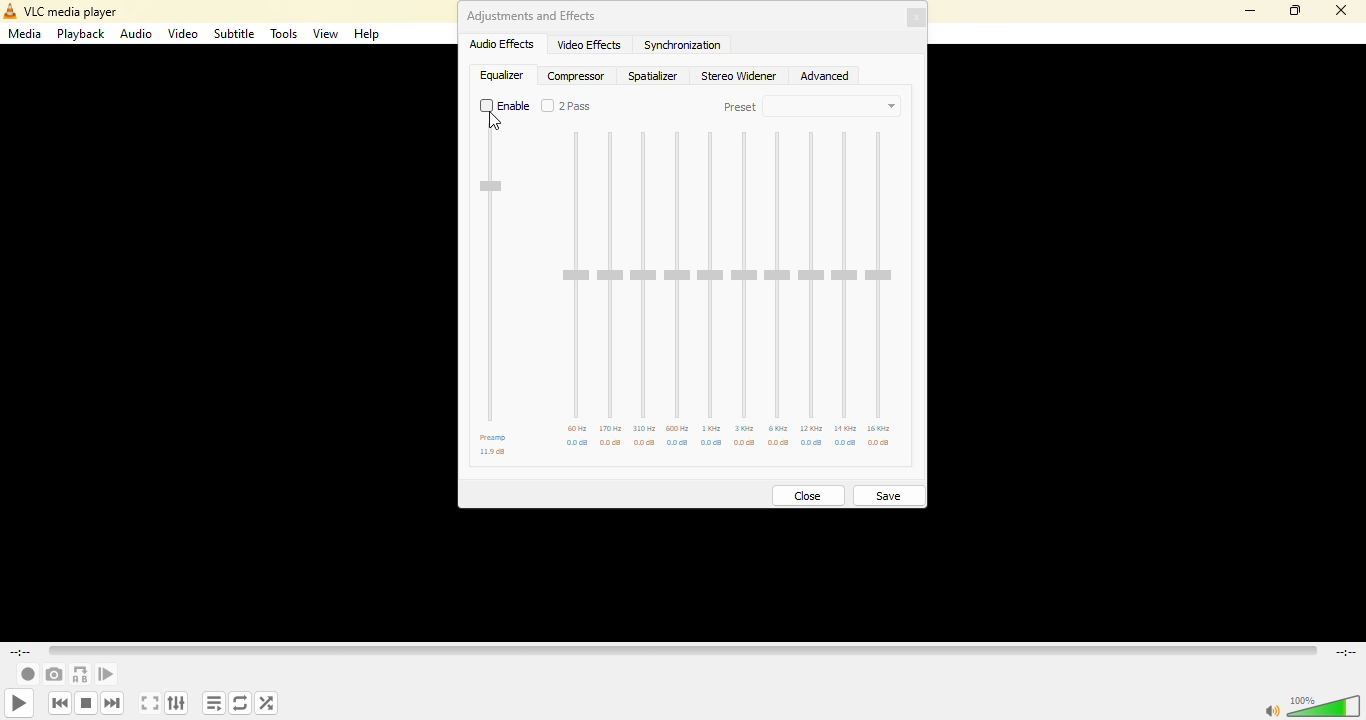 This screenshot has width=1366, height=720. What do you see at coordinates (183, 35) in the screenshot?
I see `video` at bounding box center [183, 35].